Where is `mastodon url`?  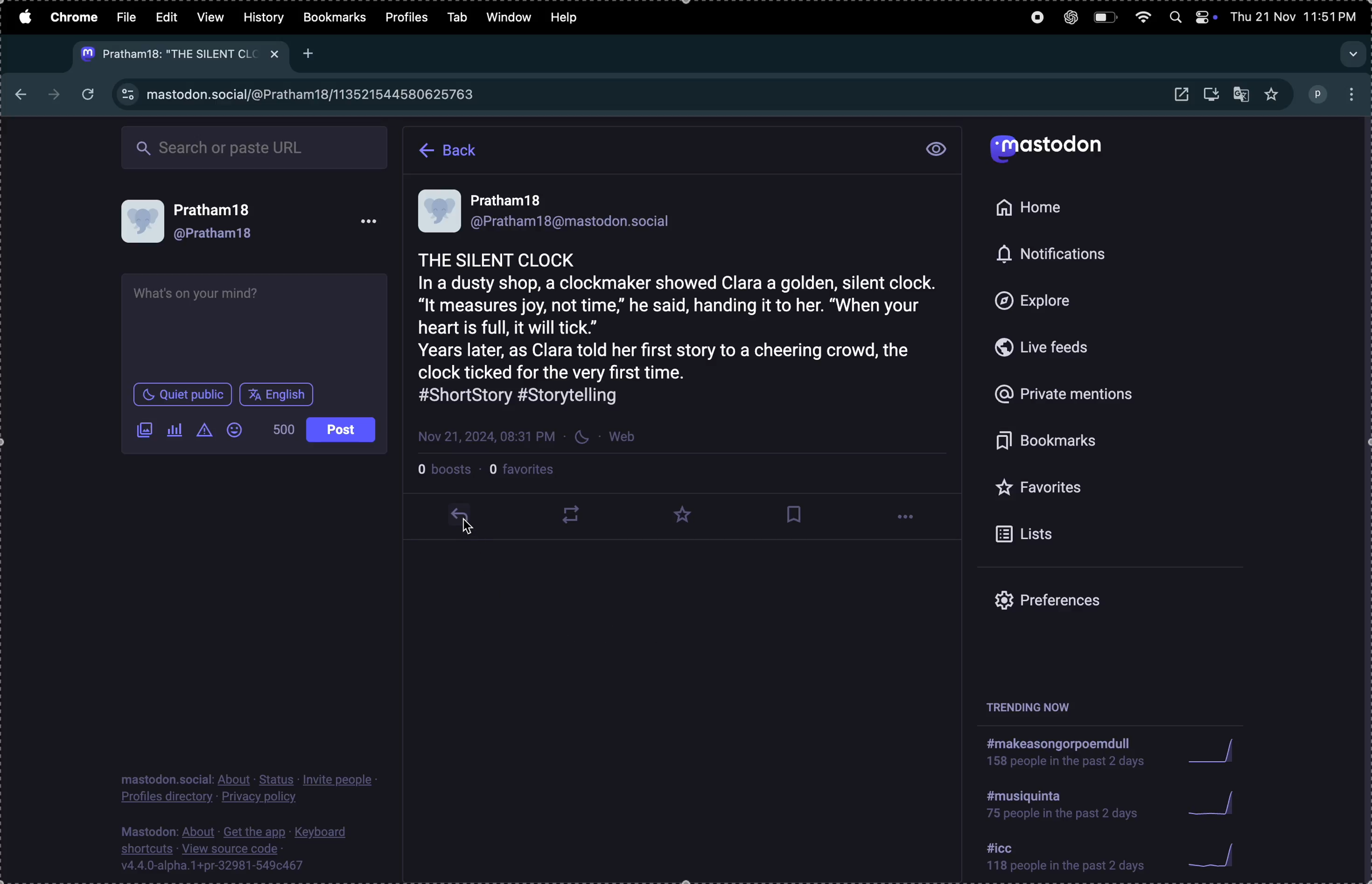
mastodon url is located at coordinates (315, 95).